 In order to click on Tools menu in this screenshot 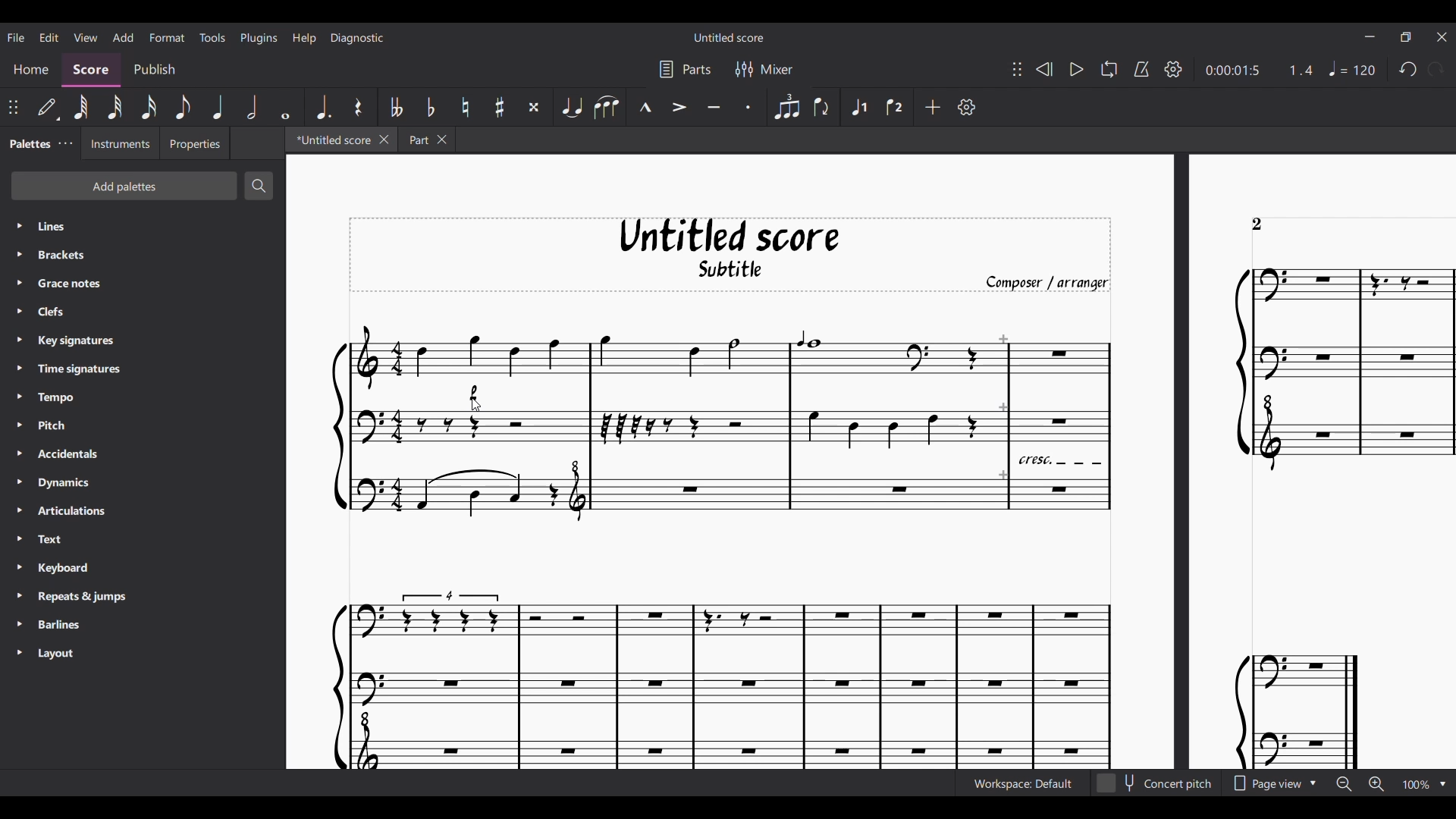, I will do `click(212, 37)`.